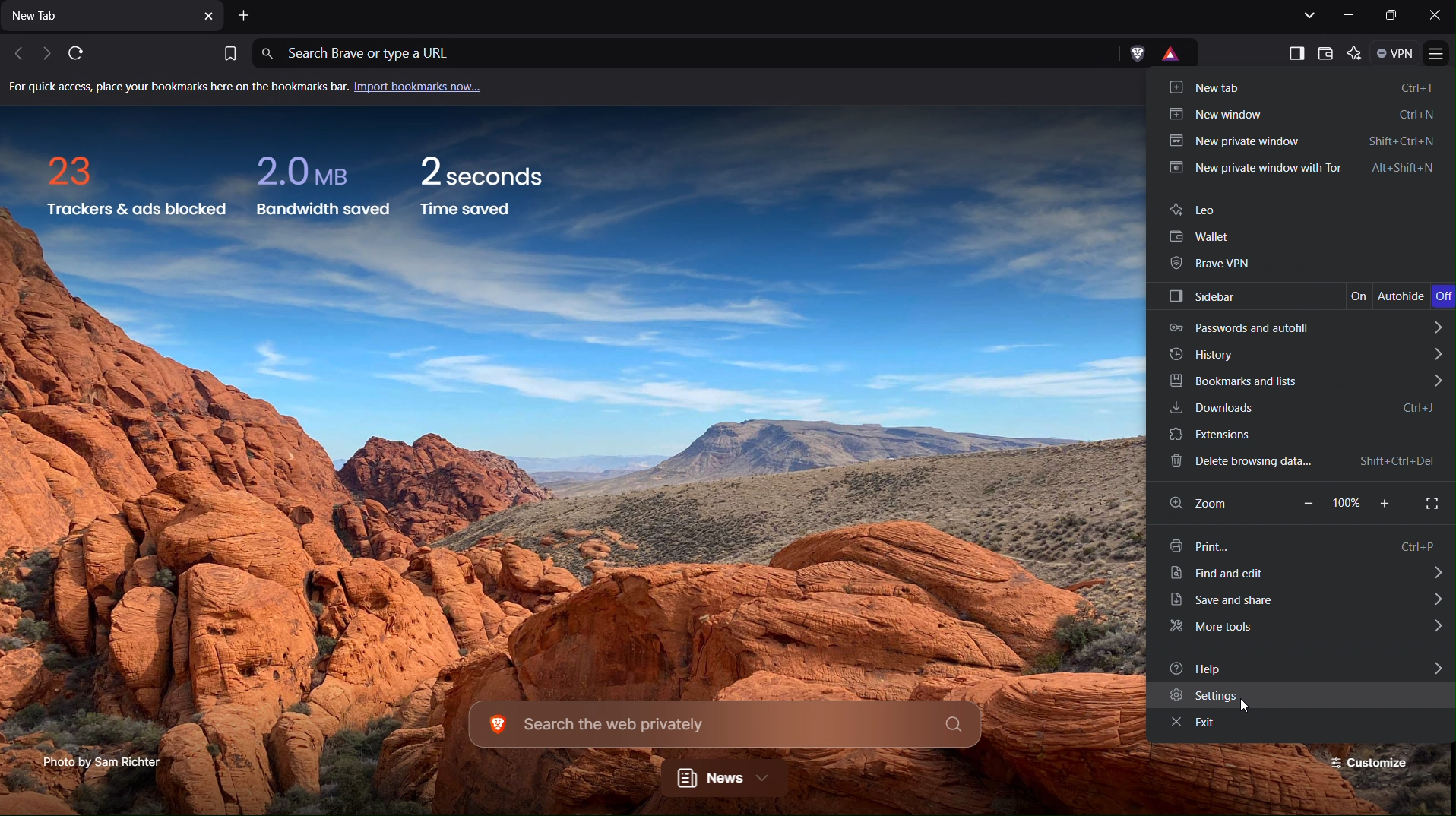  What do you see at coordinates (1299, 266) in the screenshot?
I see `Brave VPN` at bounding box center [1299, 266].